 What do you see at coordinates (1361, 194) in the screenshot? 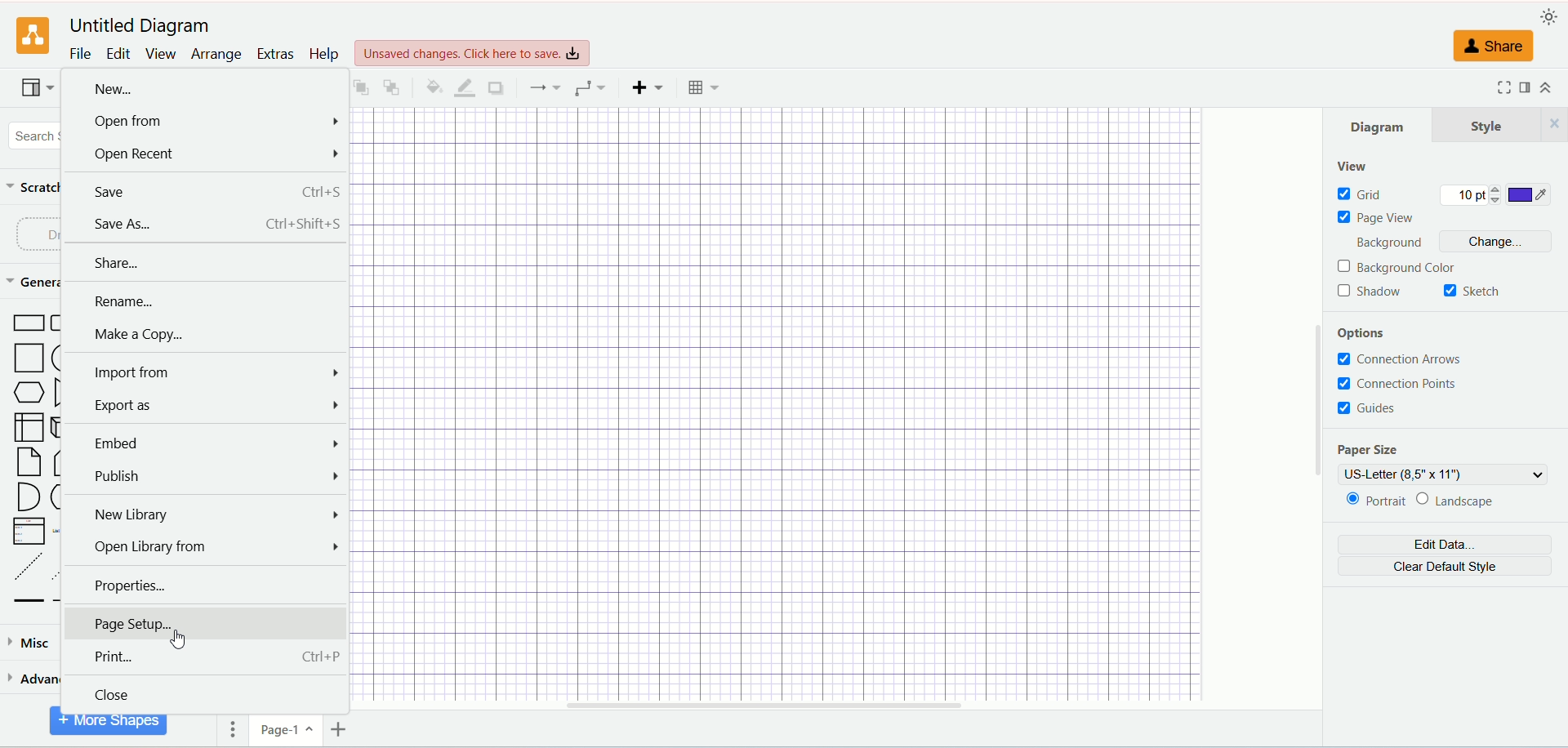
I see `grid` at bounding box center [1361, 194].